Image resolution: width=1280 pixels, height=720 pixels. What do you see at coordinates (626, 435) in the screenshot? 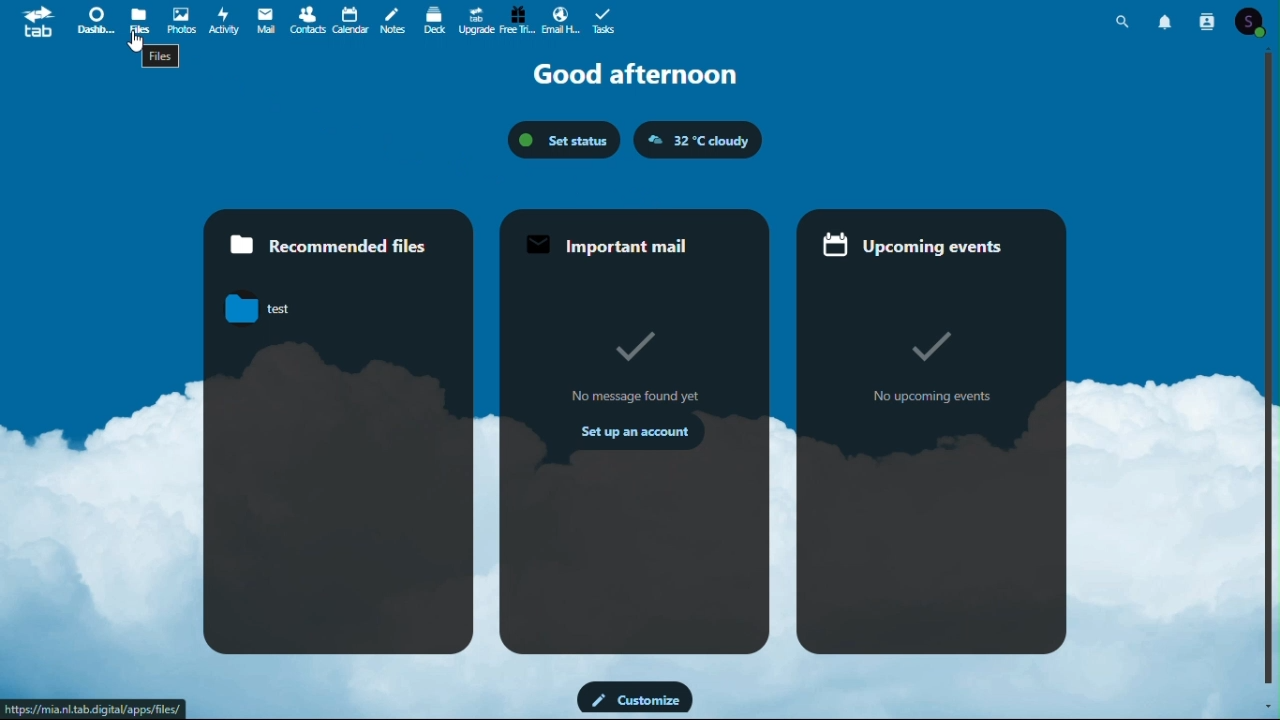
I see `Set up an account` at bounding box center [626, 435].